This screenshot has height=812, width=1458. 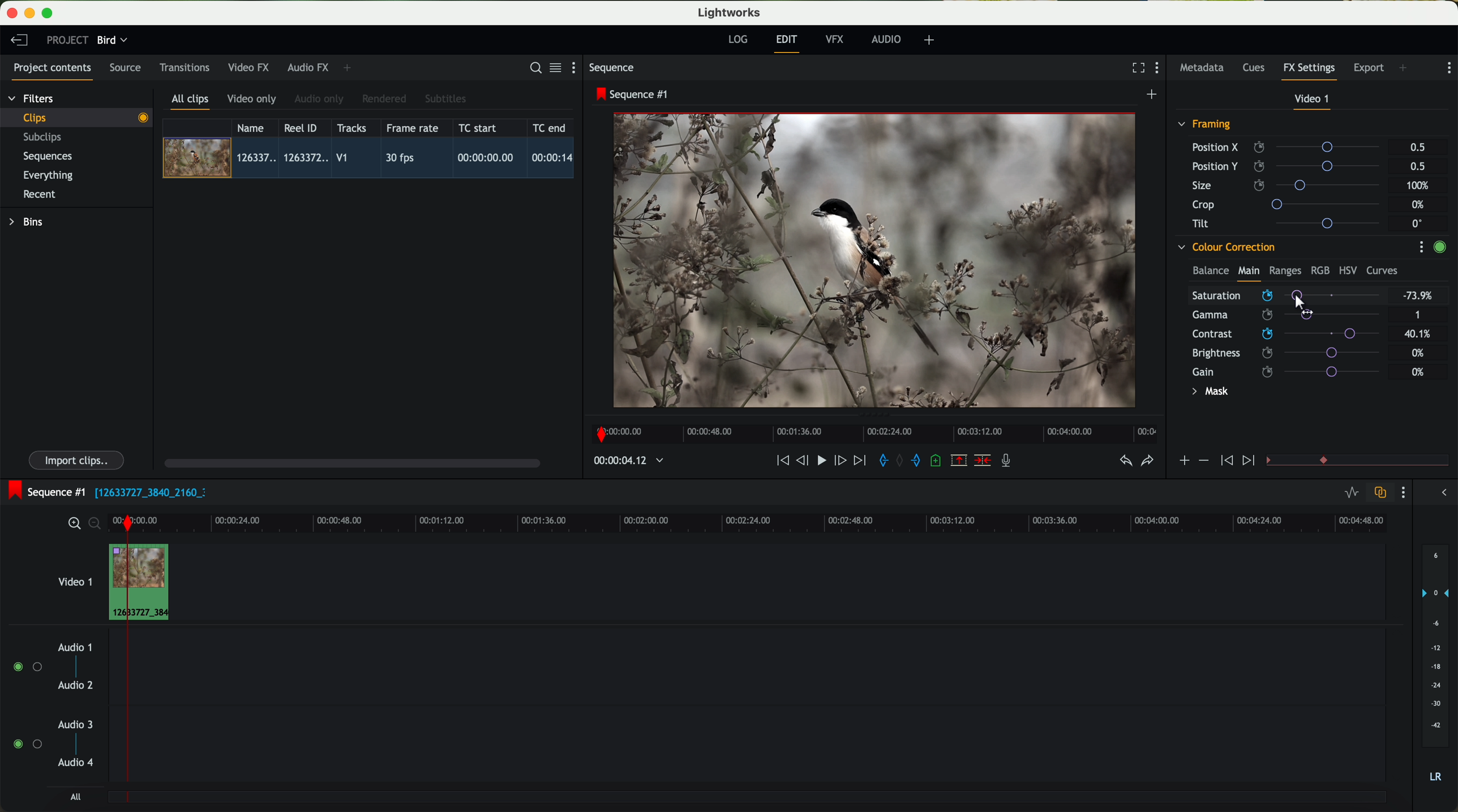 What do you see at coordinates (1204, 68) in the screenshot?
I see `metadata` at bounding box center [1204, 68].